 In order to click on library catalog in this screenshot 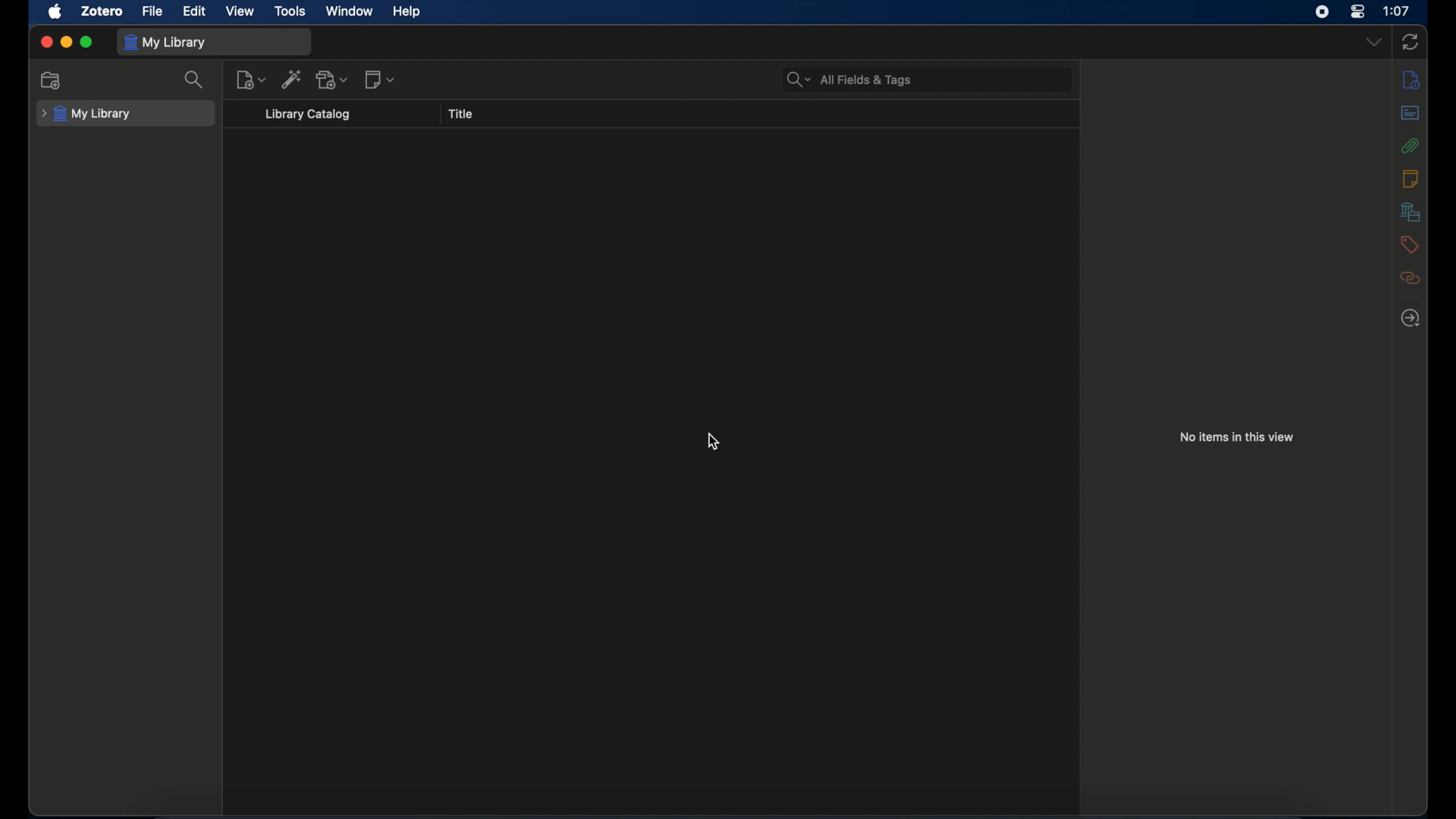, I will do `click(306, 115)`.